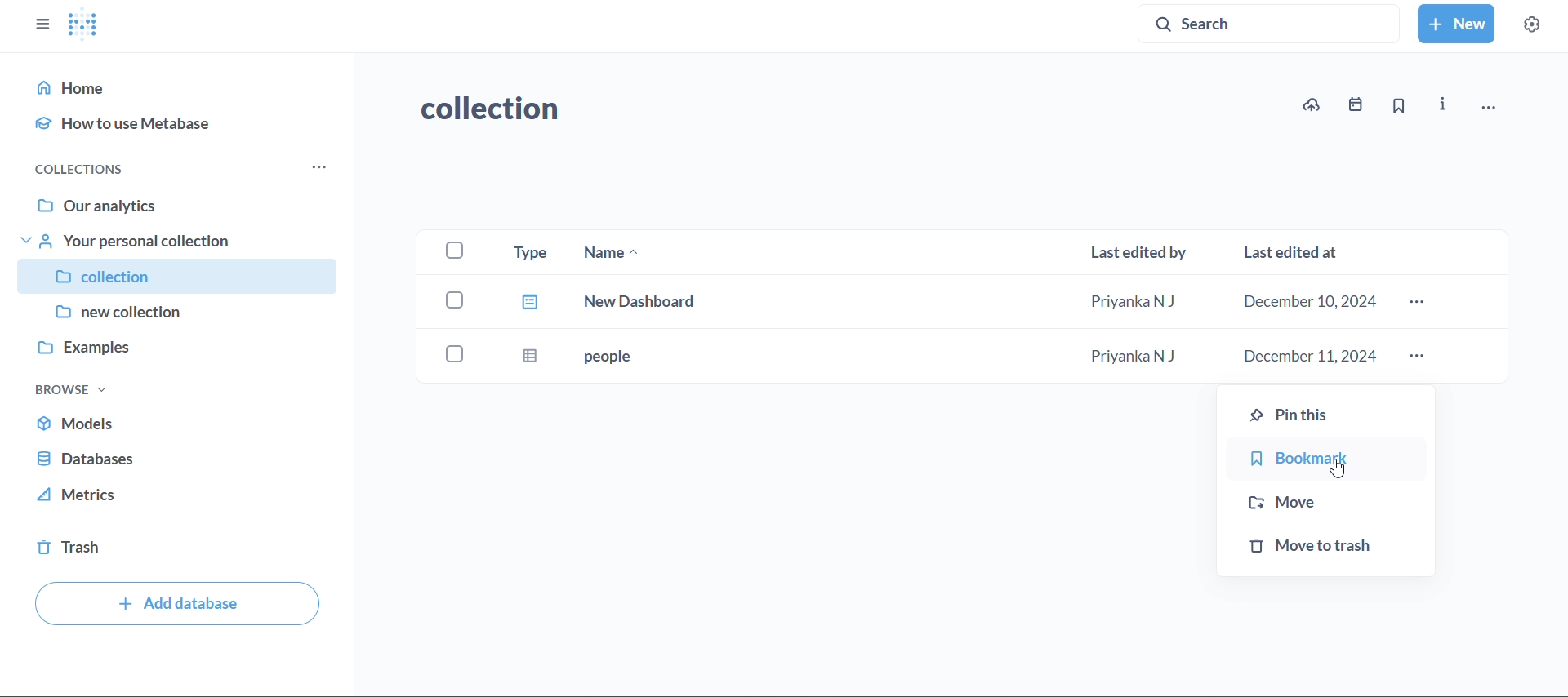 The image size is (1568, 697). I want to click on models, so click(183, 422).